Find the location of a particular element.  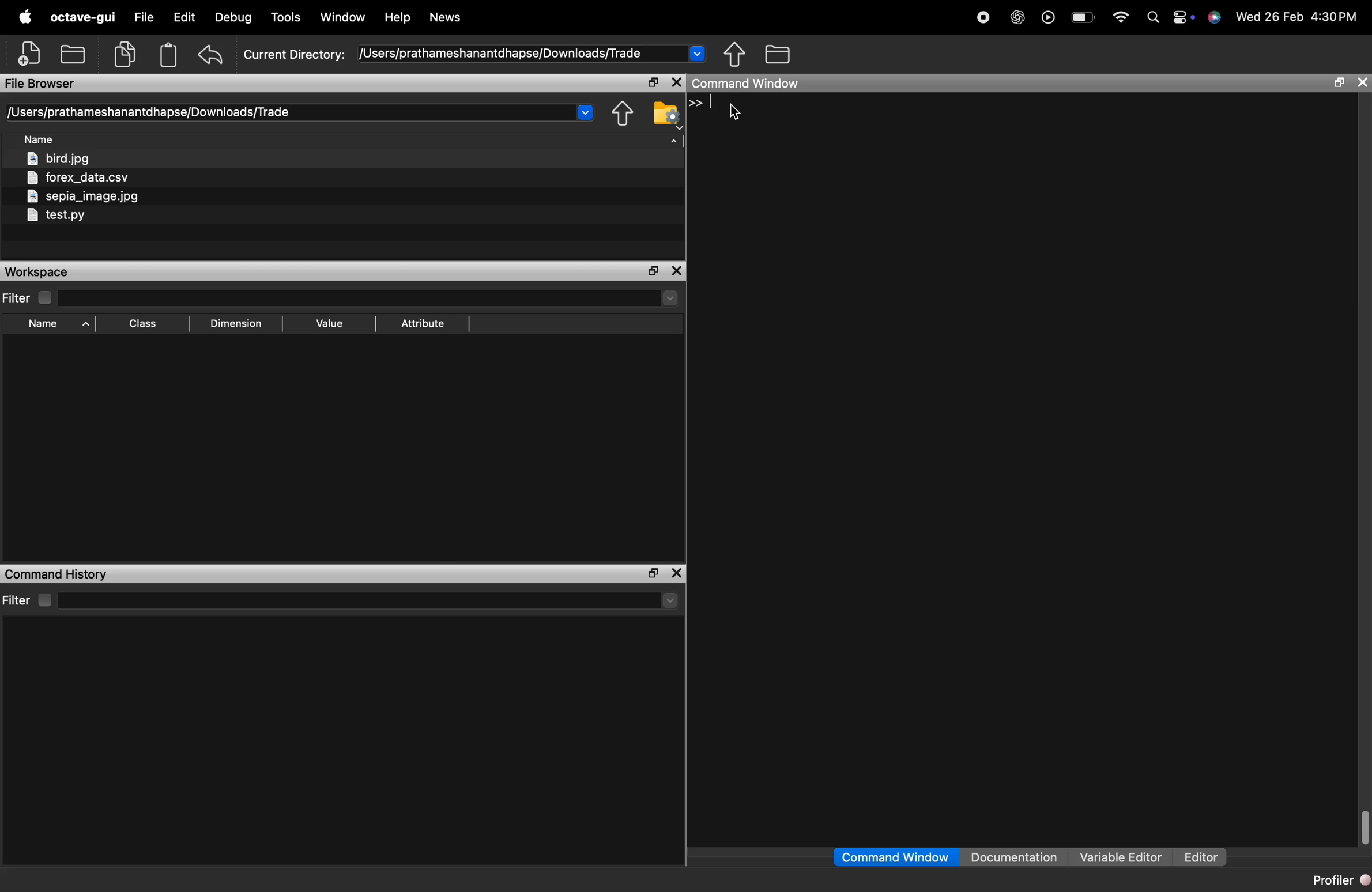

tools is located at coordinates (288, 17).